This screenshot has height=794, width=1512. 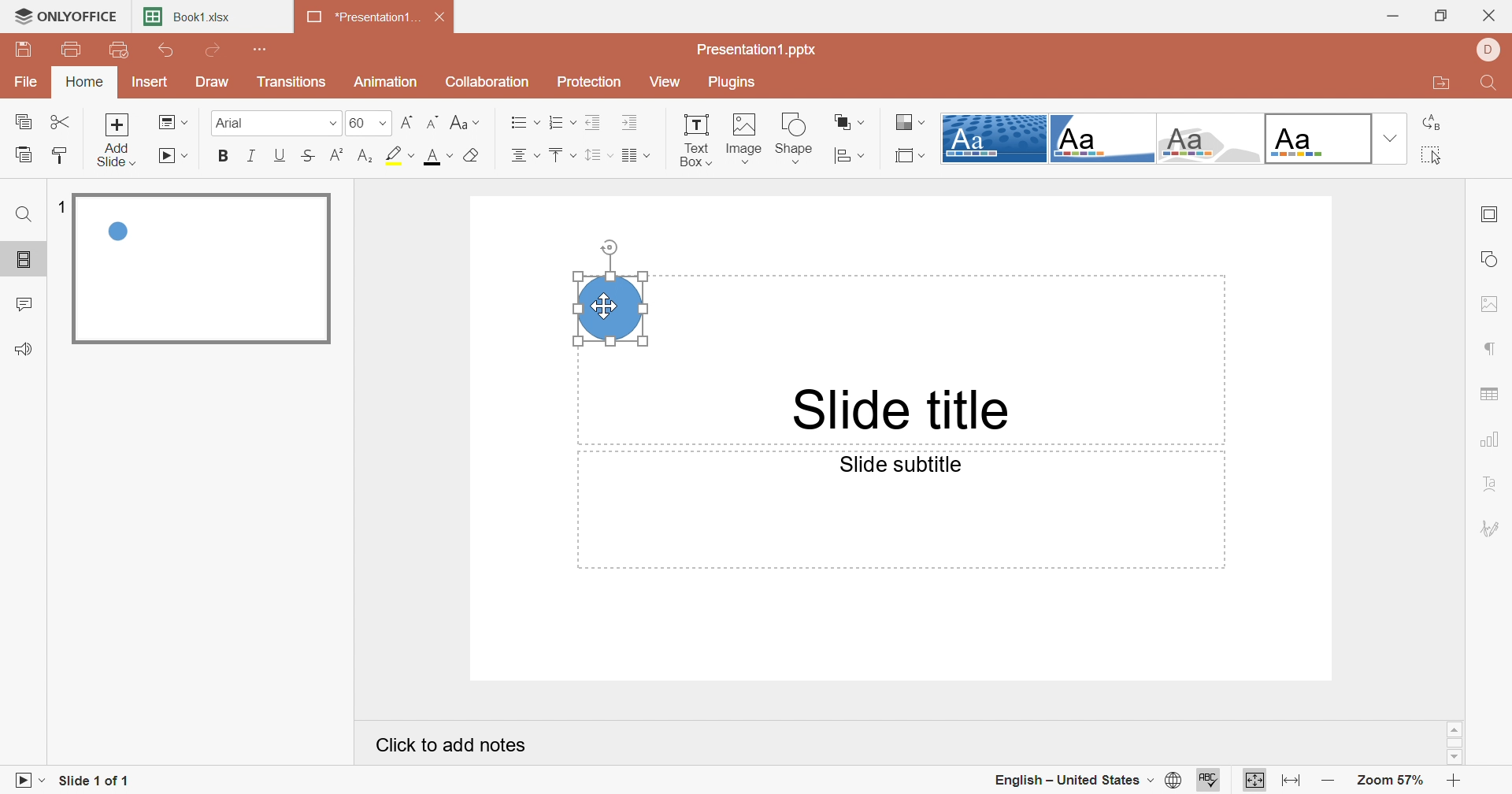 I want to click on Strikethrough, so click(x=309, y=154).